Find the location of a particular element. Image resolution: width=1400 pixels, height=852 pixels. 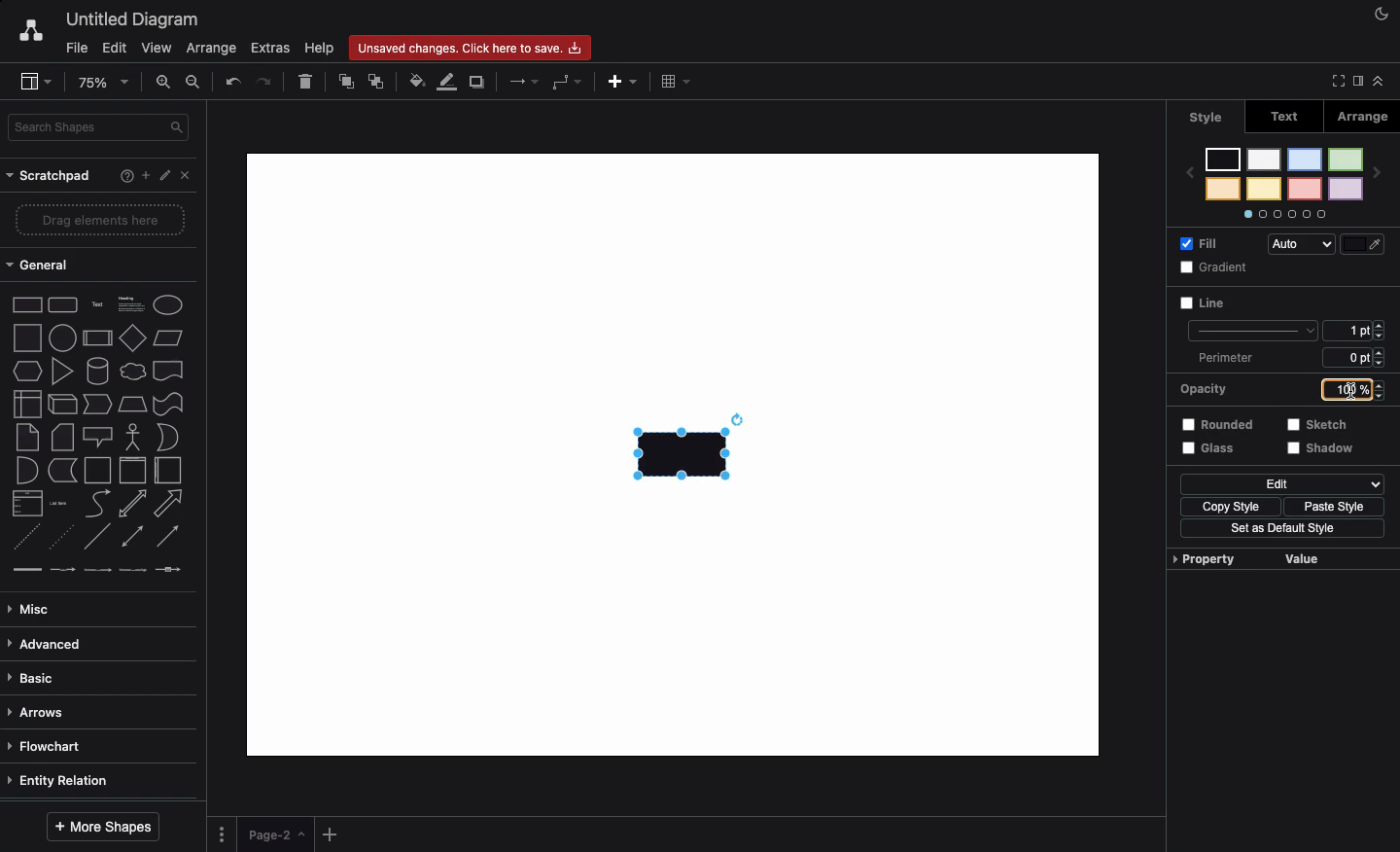

cube is located at coordinates (59, 403).